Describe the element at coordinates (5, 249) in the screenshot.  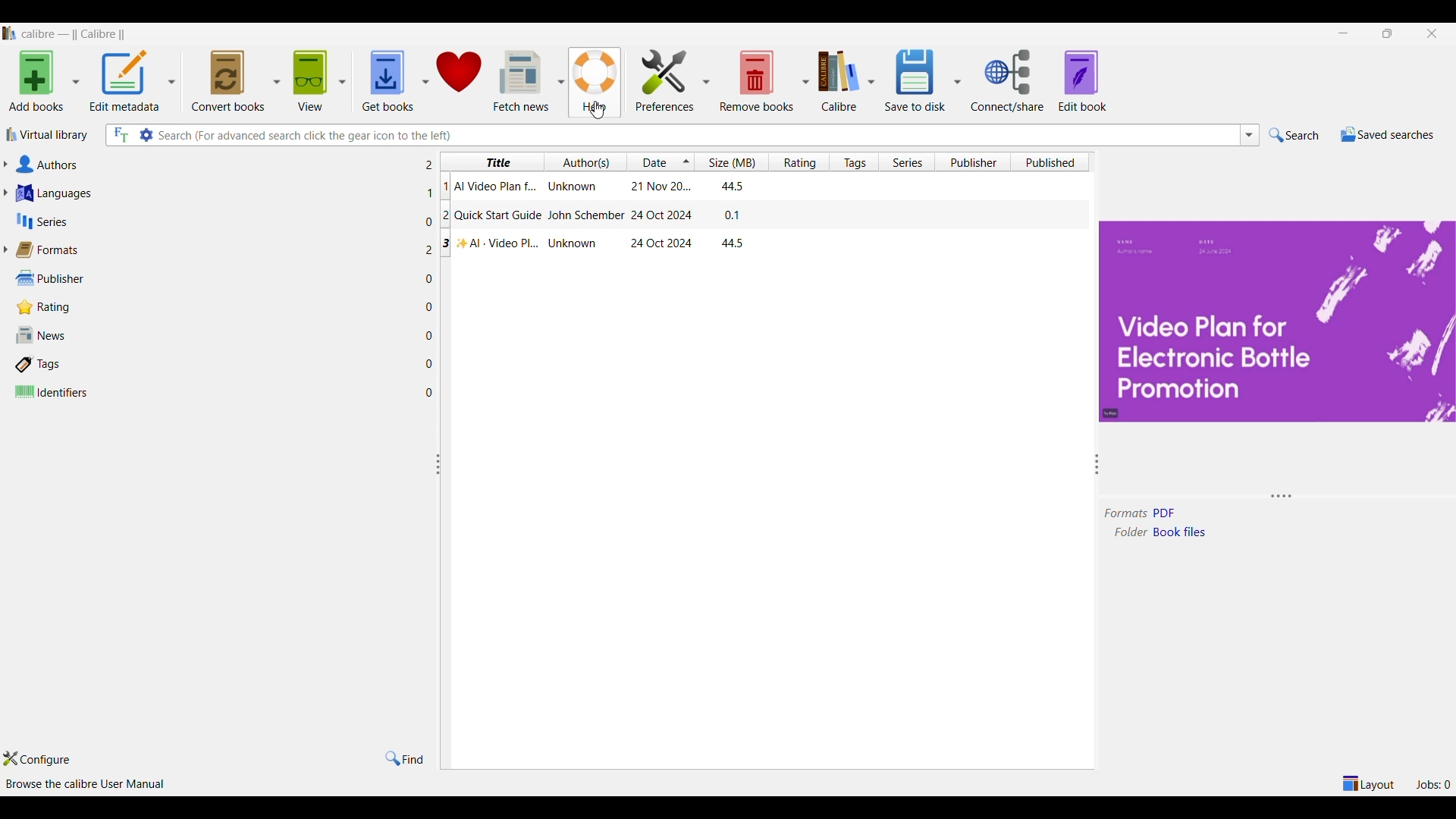
I see `Expand formats` at that location.